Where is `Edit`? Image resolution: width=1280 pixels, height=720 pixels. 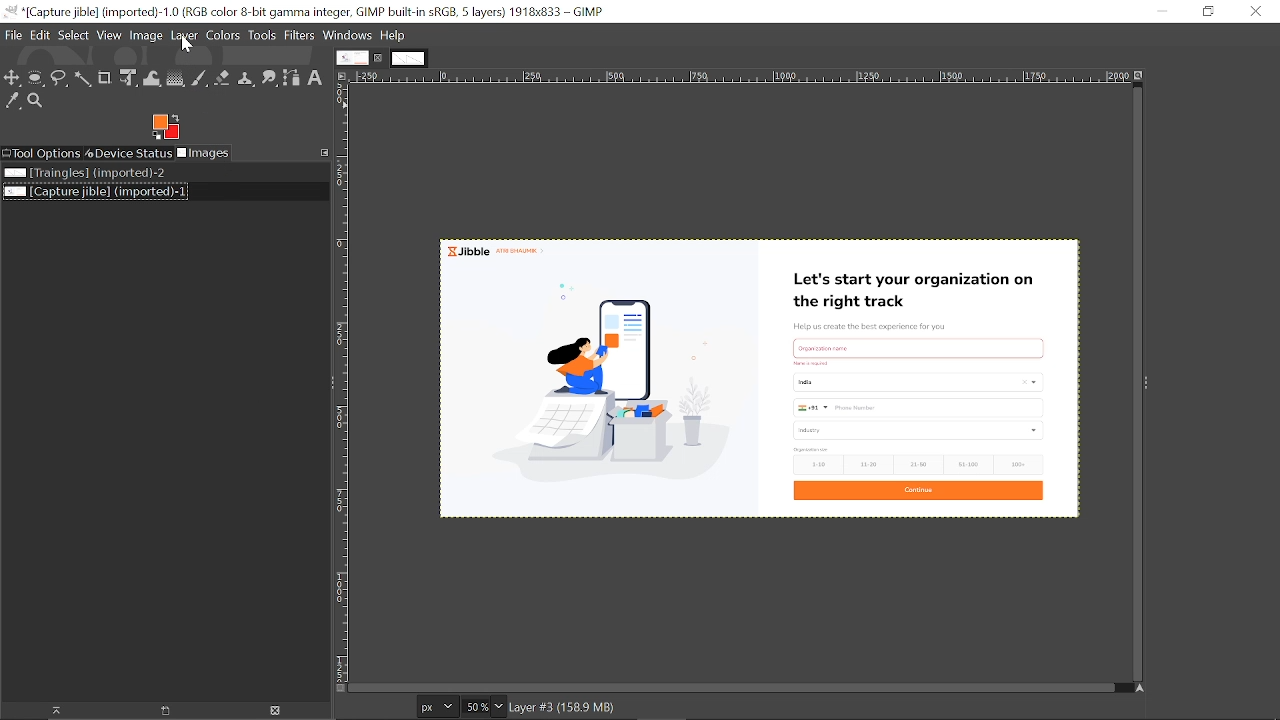
Edit is located at coordinates (38, 35).